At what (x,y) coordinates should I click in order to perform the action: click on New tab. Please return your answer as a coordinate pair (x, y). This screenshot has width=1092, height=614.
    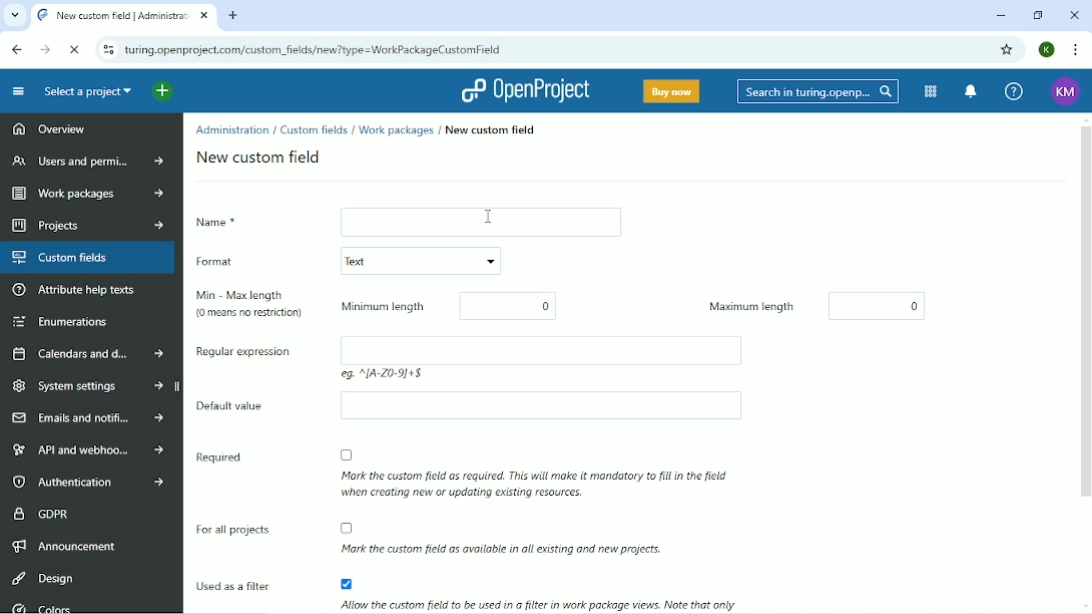
    Looking at the image, I should click on (235, 16).